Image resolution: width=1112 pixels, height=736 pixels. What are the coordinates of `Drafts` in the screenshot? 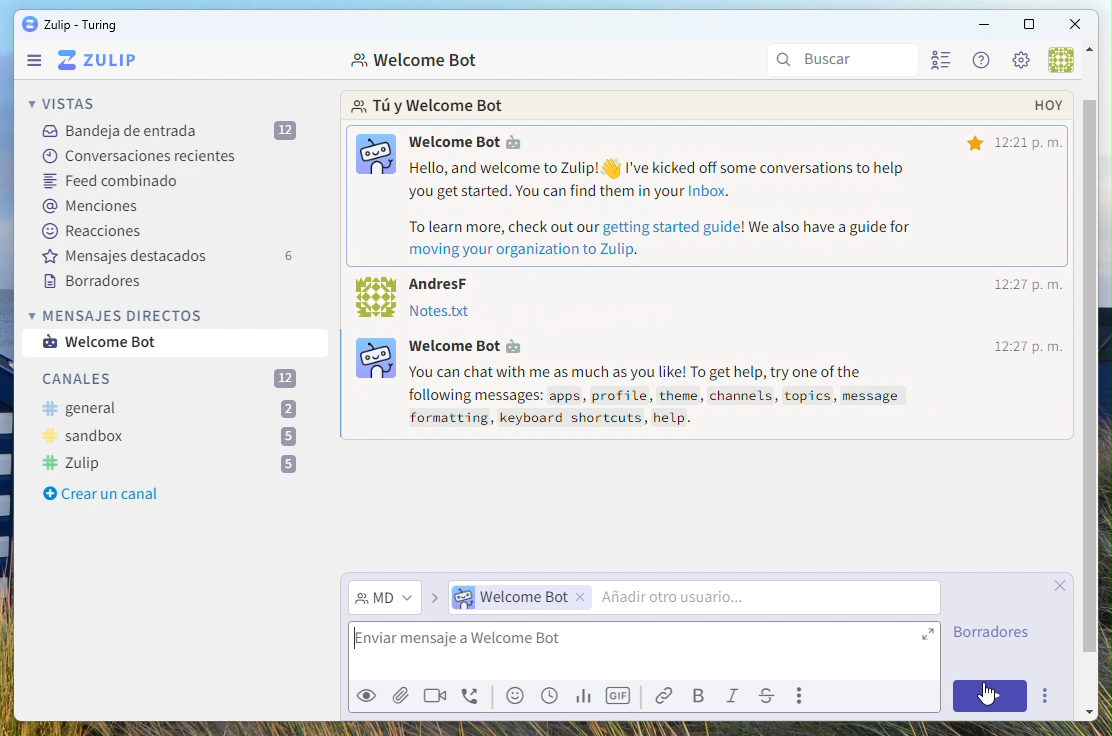 It's located at (98, 283).